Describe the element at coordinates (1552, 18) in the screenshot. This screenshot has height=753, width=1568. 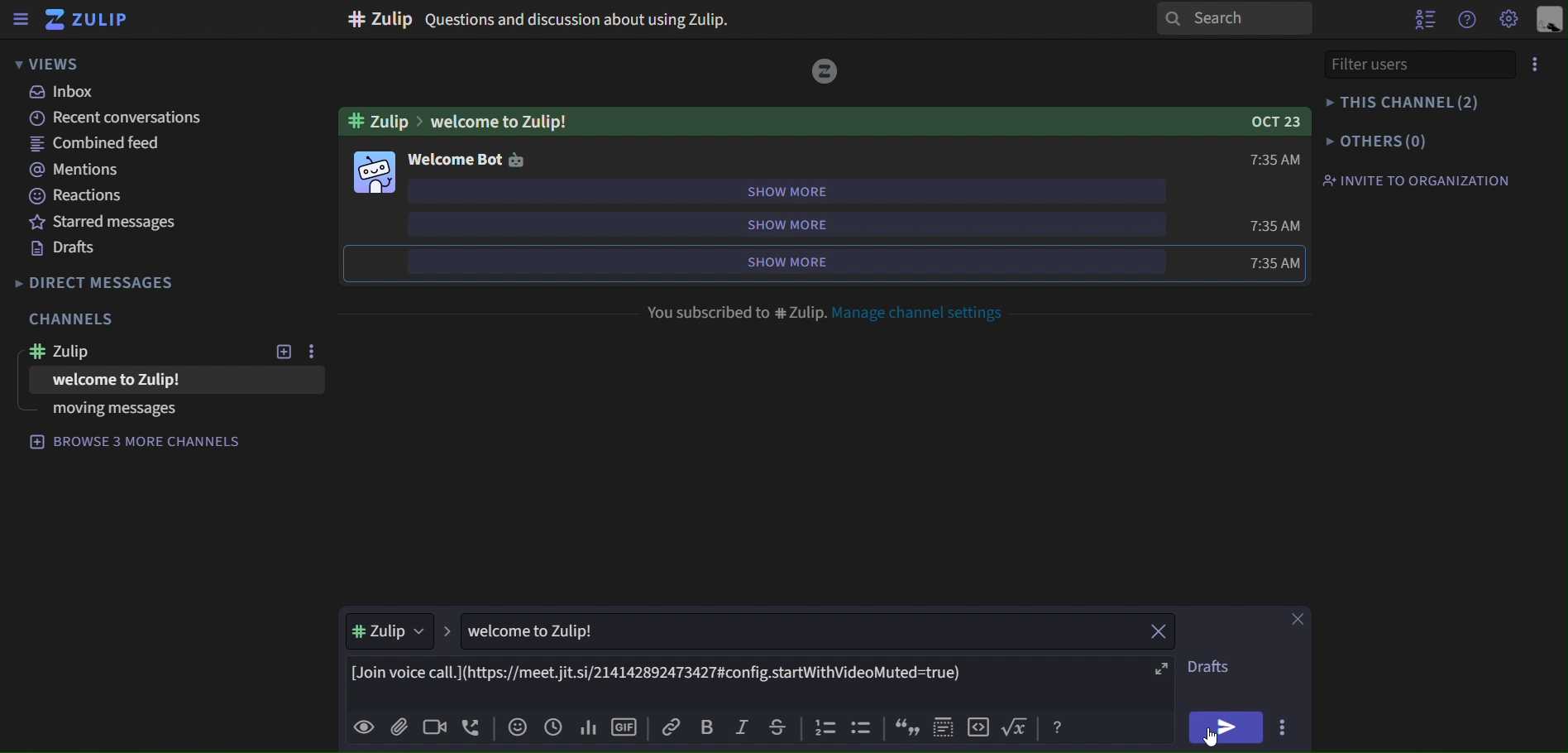
I see `personal menu` at that location.